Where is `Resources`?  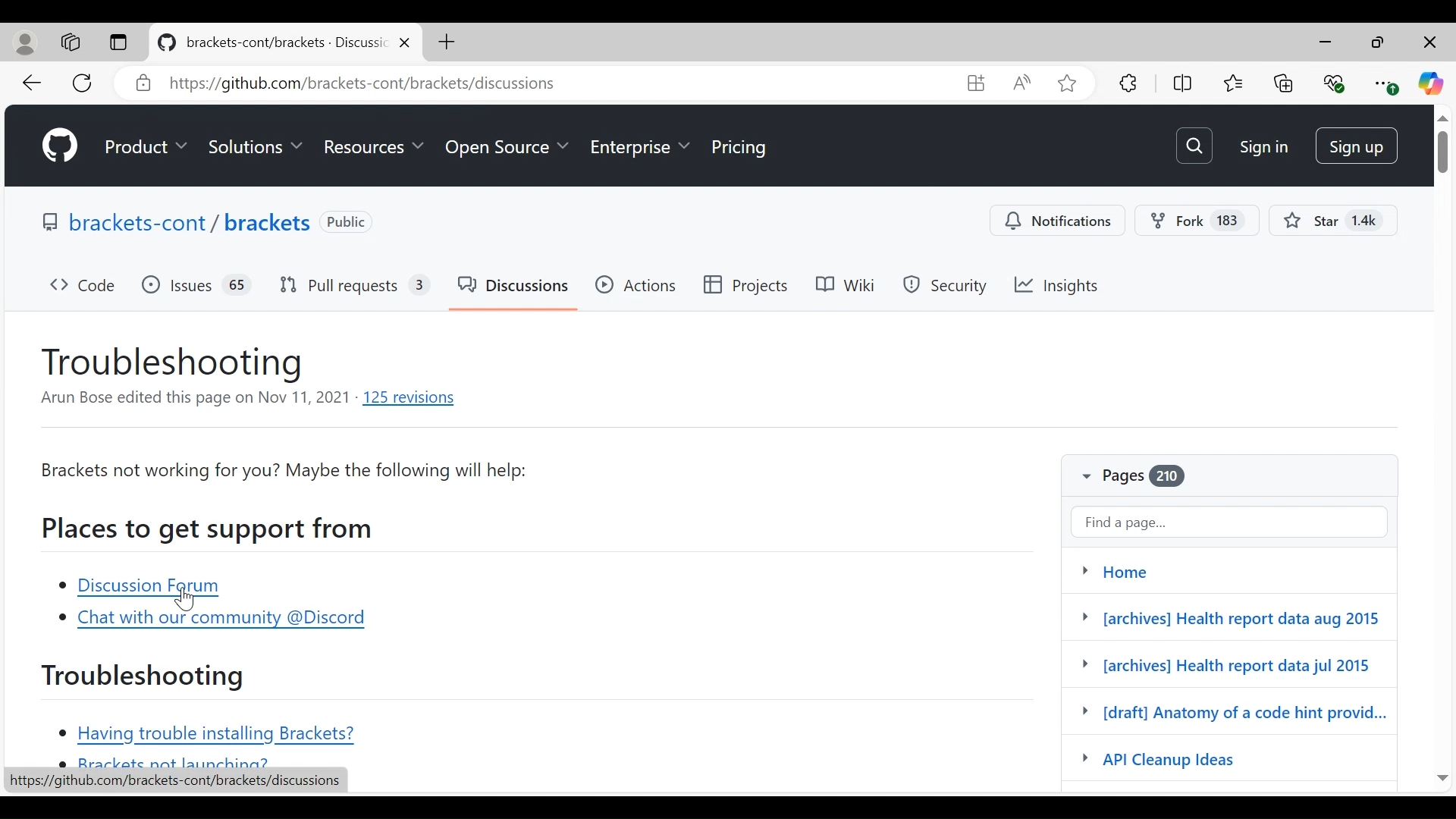
Resources is located at coordinates (372, 147).